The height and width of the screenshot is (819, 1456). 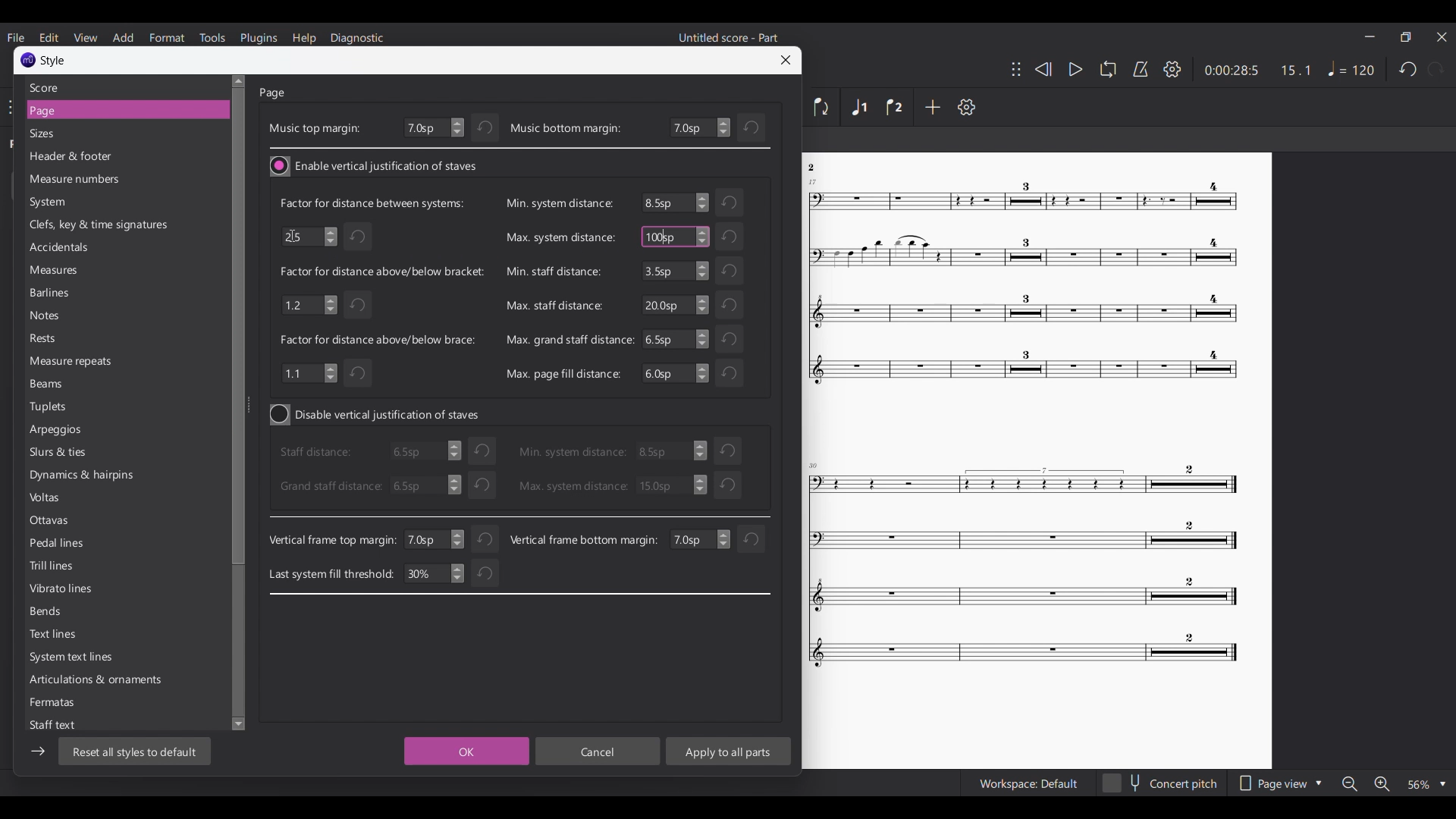 I want to click on Undo, so click(x=360, y=237).